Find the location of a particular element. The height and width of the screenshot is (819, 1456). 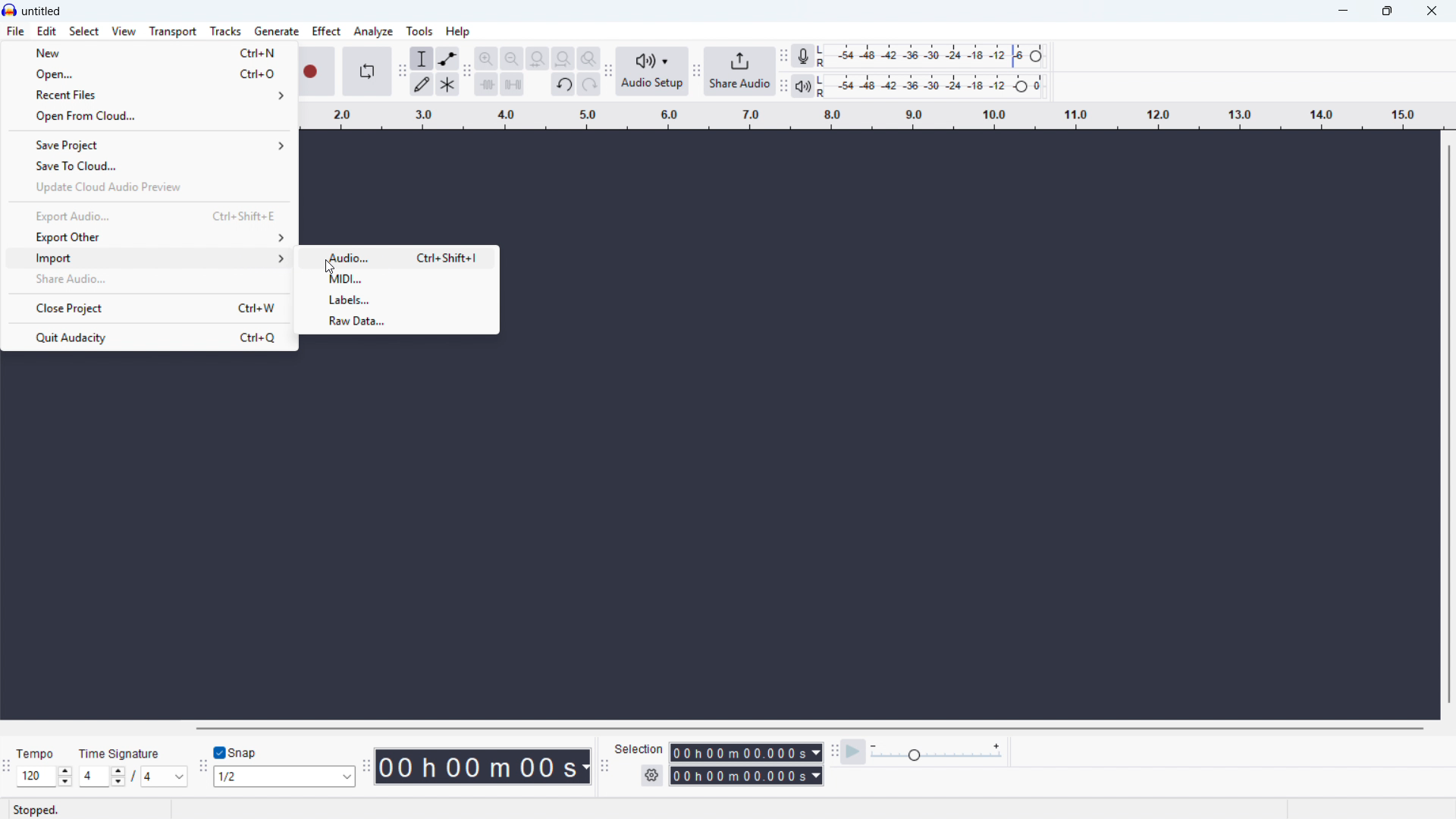

Time signature toolbar  is located at coordinates (8, 767).